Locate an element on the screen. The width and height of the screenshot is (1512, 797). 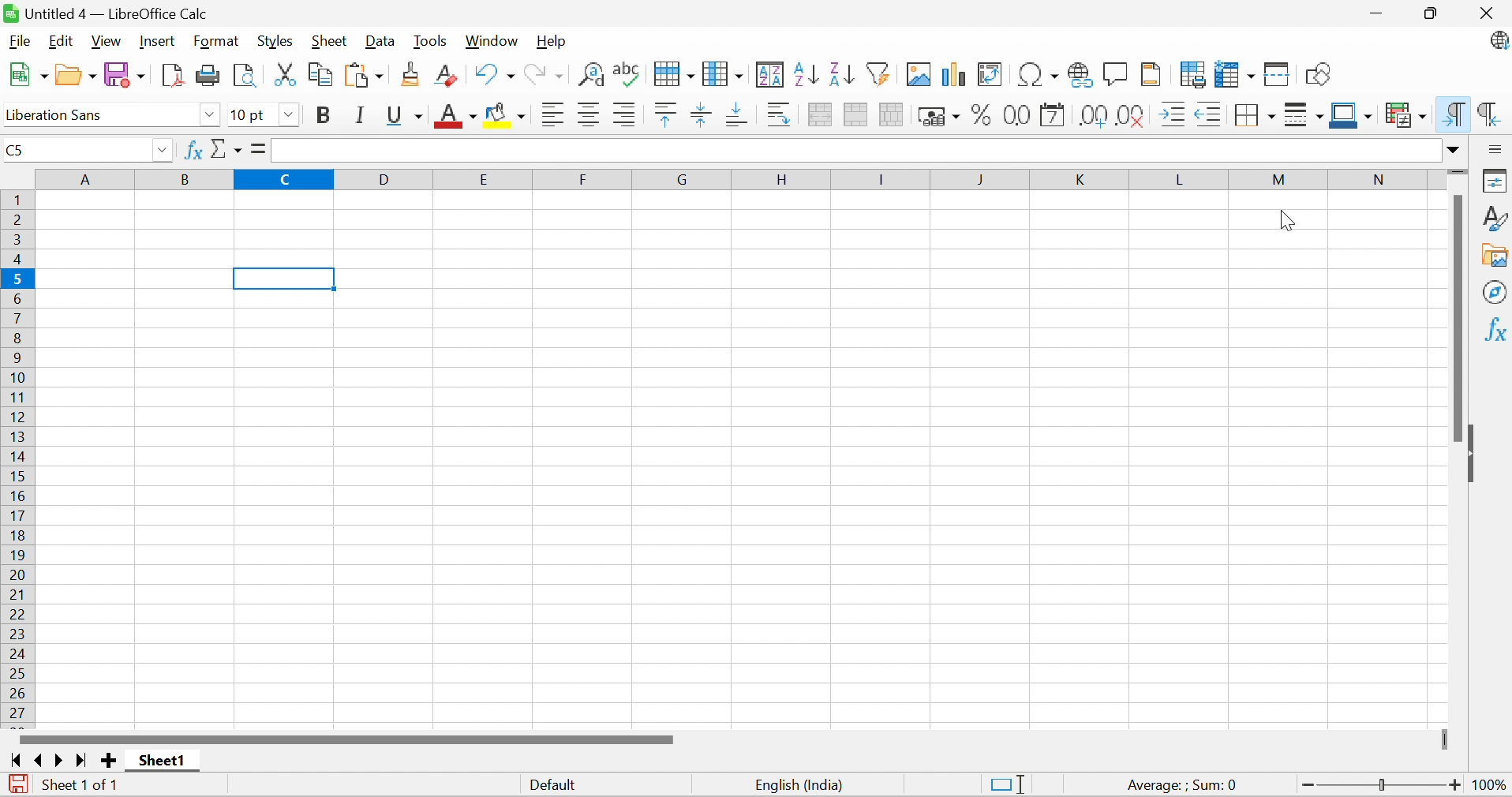
Column name is located at coordinates (732, 178).